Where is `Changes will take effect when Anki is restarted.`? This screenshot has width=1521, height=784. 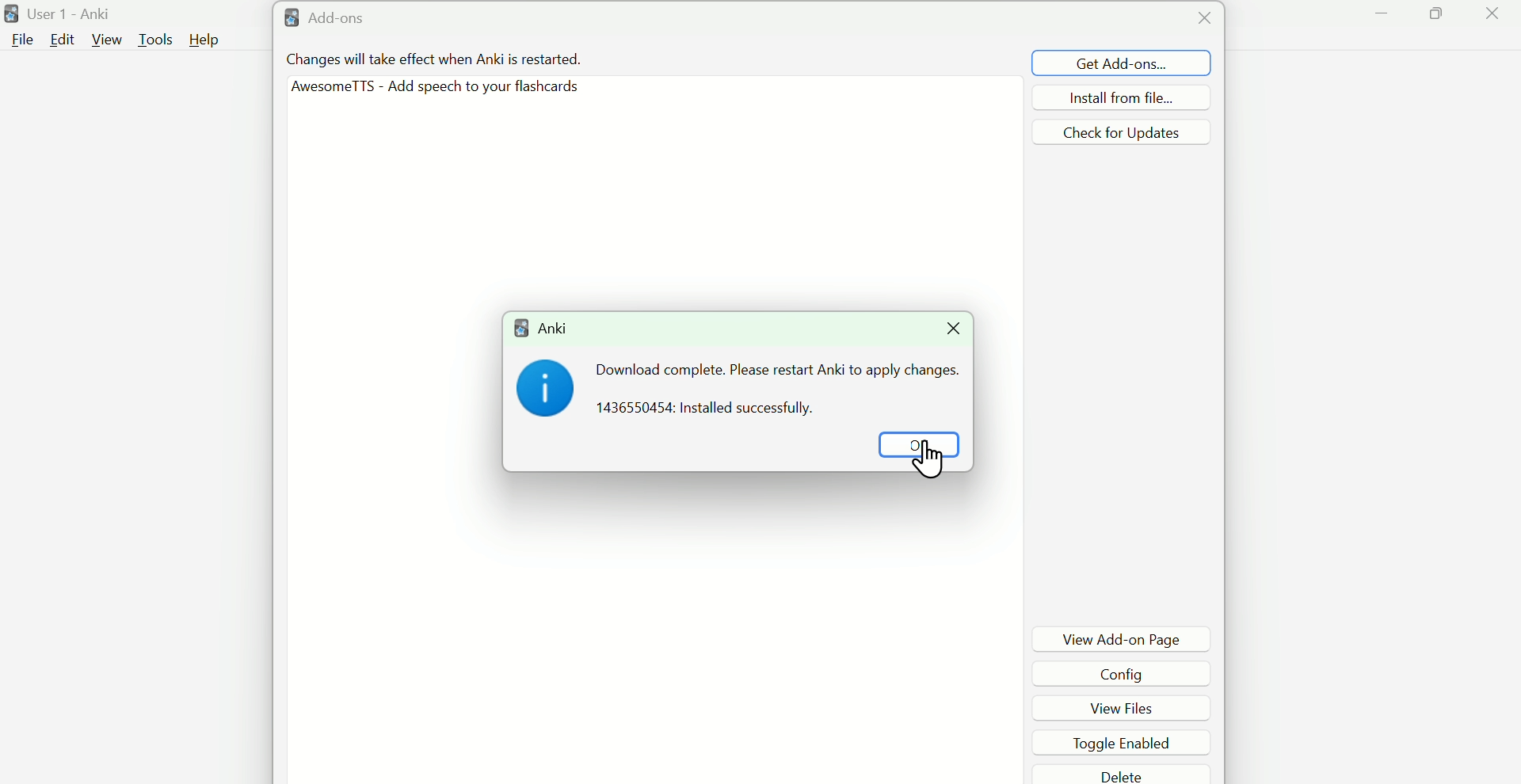
Changes will take effect when Anki is restarted. is located at coordinates (432, 63).